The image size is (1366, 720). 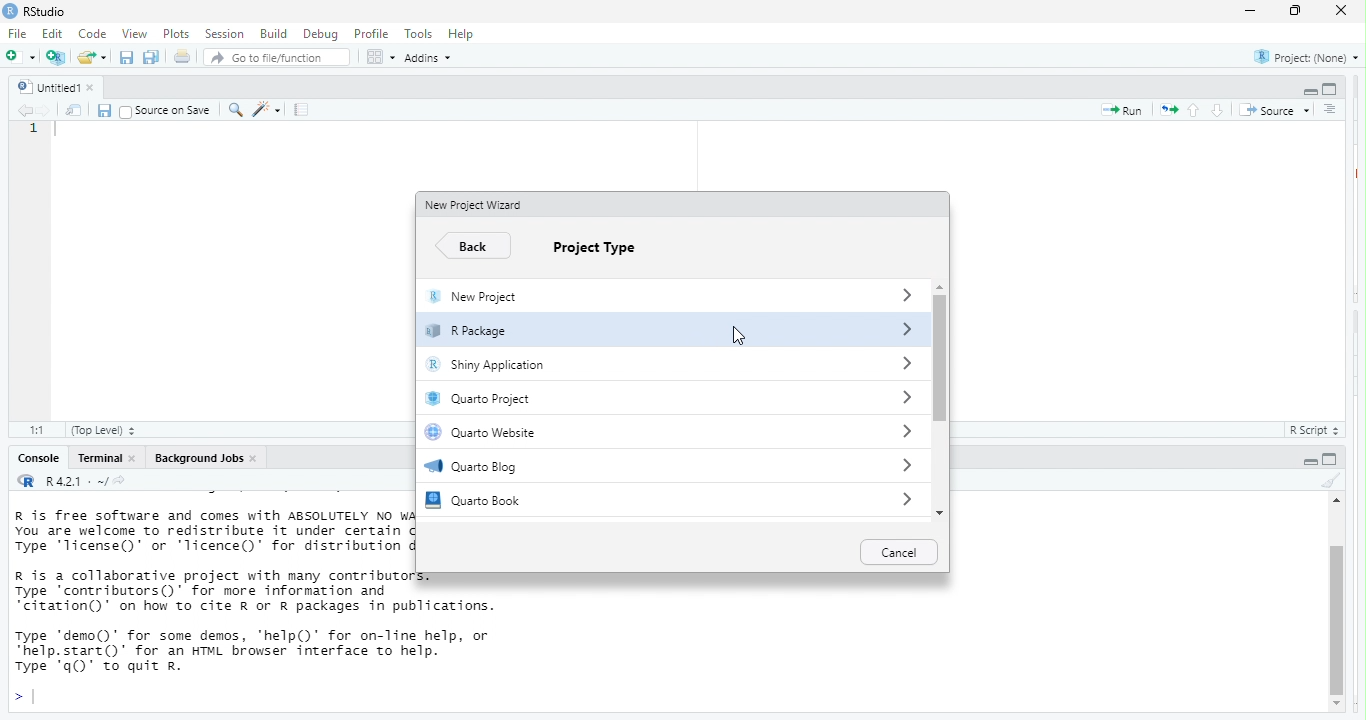 I want to click on clear console, so click(x=1328, y=481).